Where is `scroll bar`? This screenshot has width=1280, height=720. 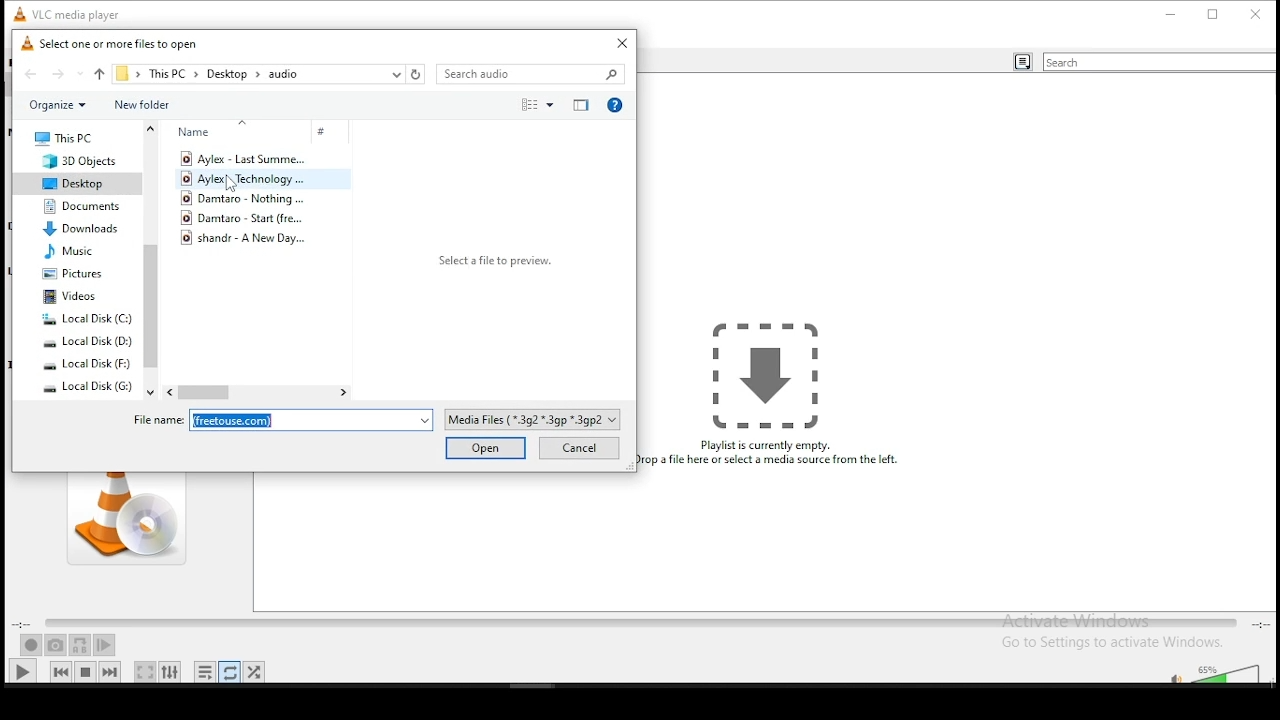
scroll bar is located at coordinates (150, 258).